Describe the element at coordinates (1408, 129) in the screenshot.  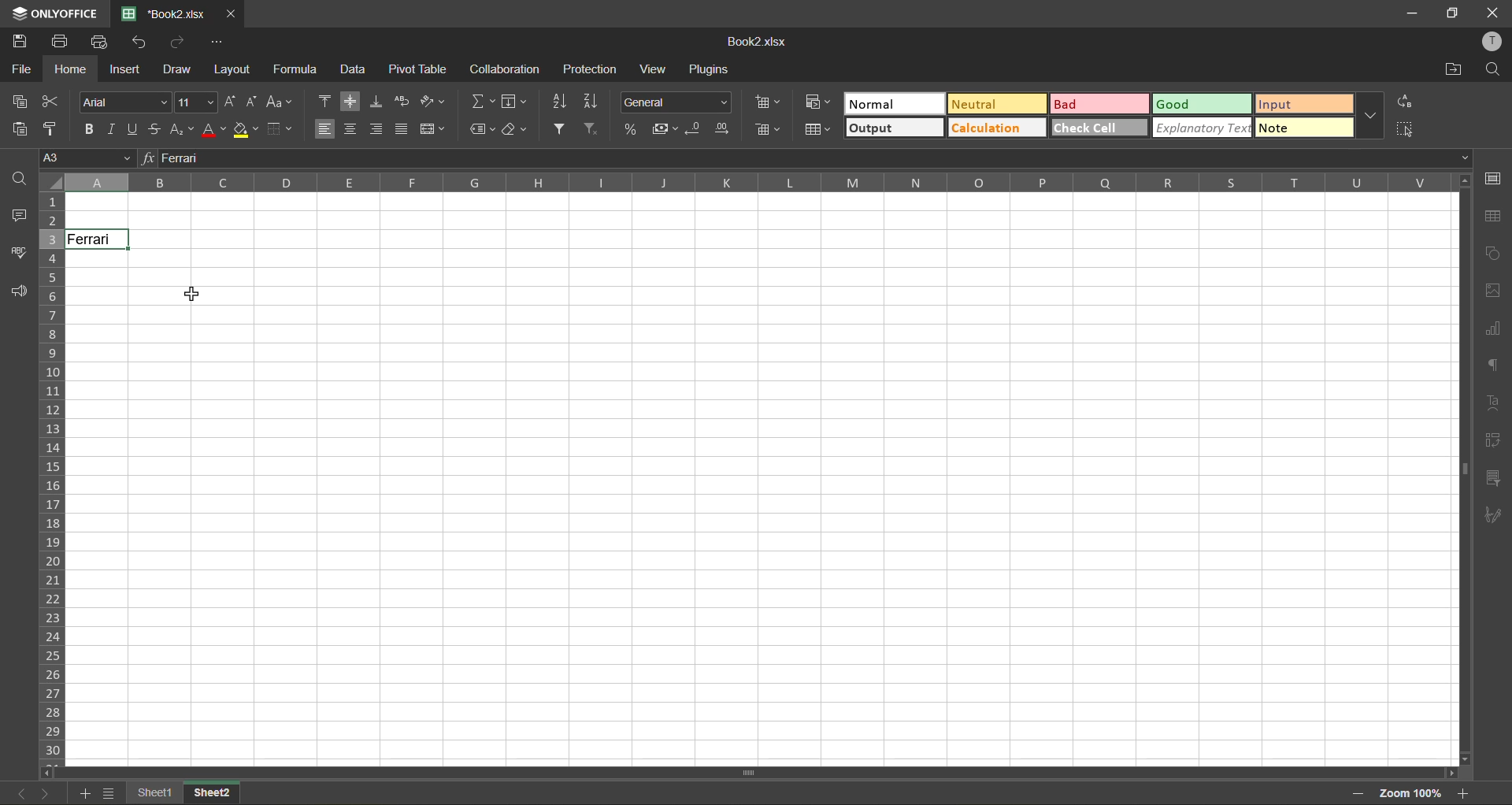
I see `select all` at that location.